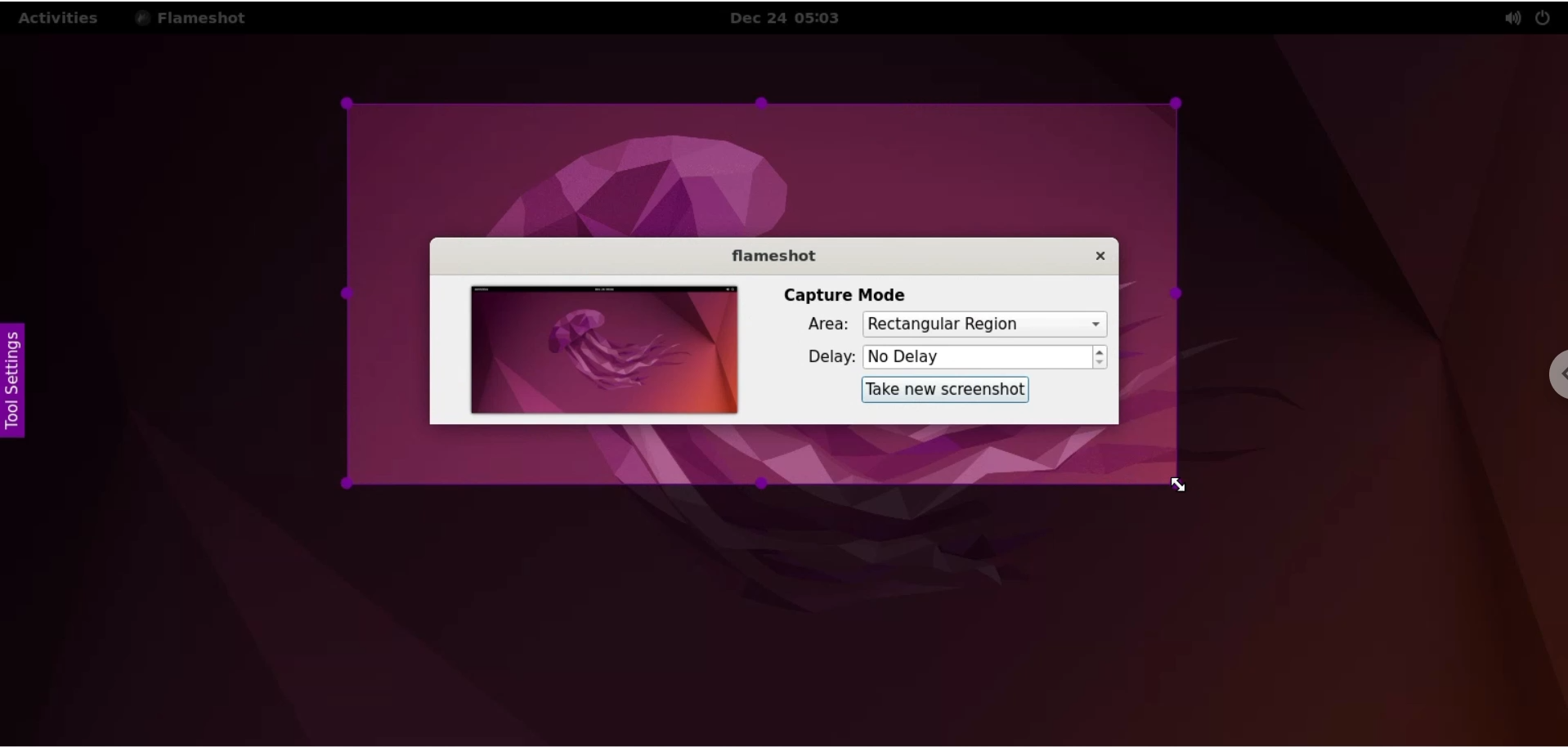 This screenshot has width=1568, height=747. Describe the element at coordinates (792, 18) in the screenshot. I see `Dec 24 05:03` at that location.